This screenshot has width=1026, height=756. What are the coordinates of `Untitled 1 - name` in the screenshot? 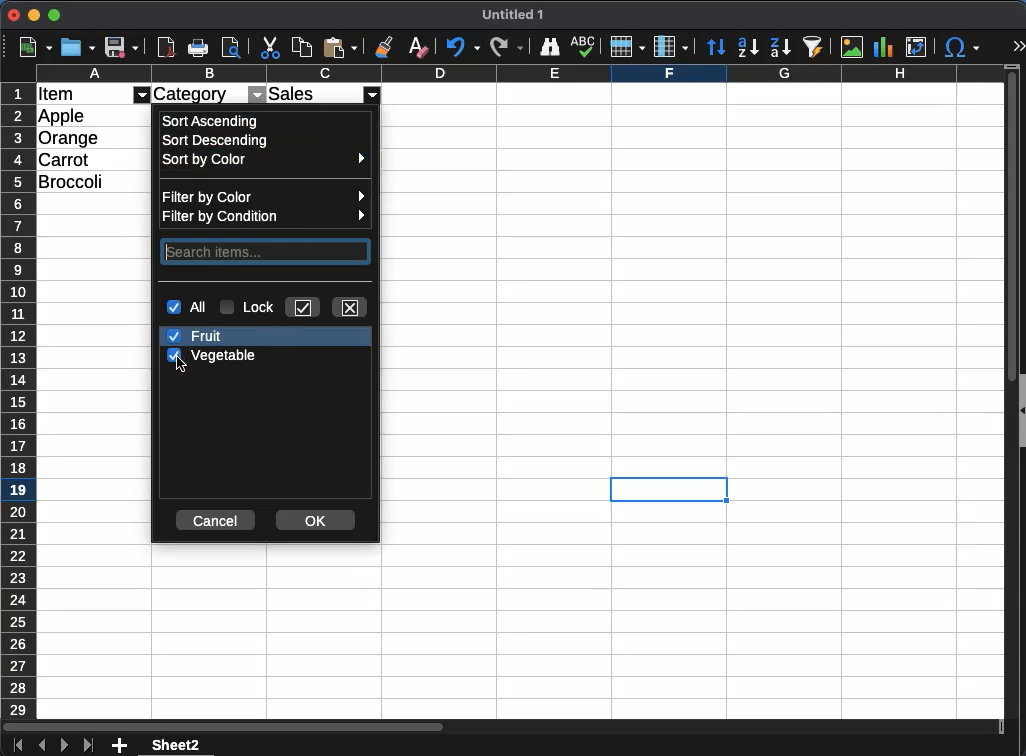 It's located at (513, 15).